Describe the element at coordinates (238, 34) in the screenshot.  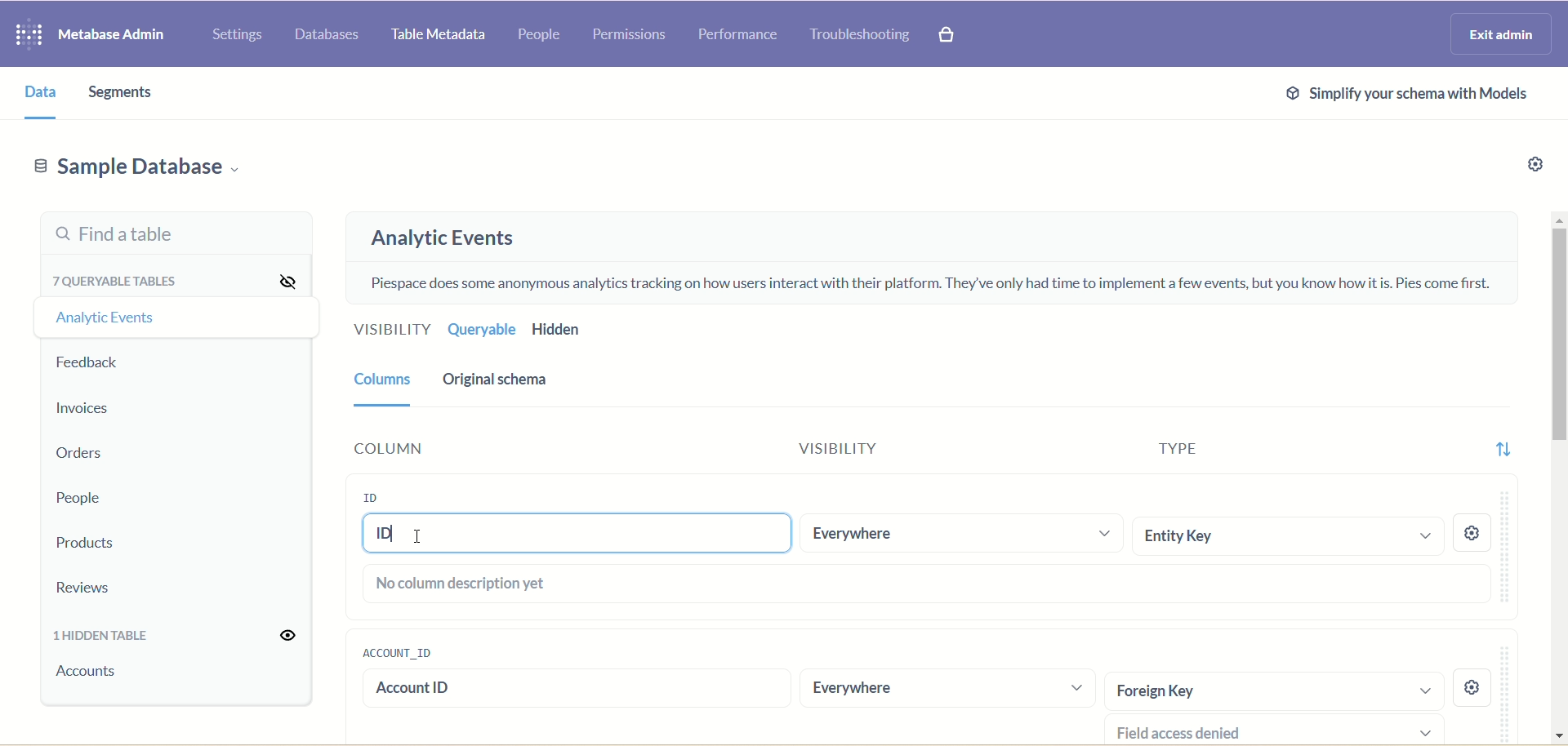
I see `Settings` at that location.